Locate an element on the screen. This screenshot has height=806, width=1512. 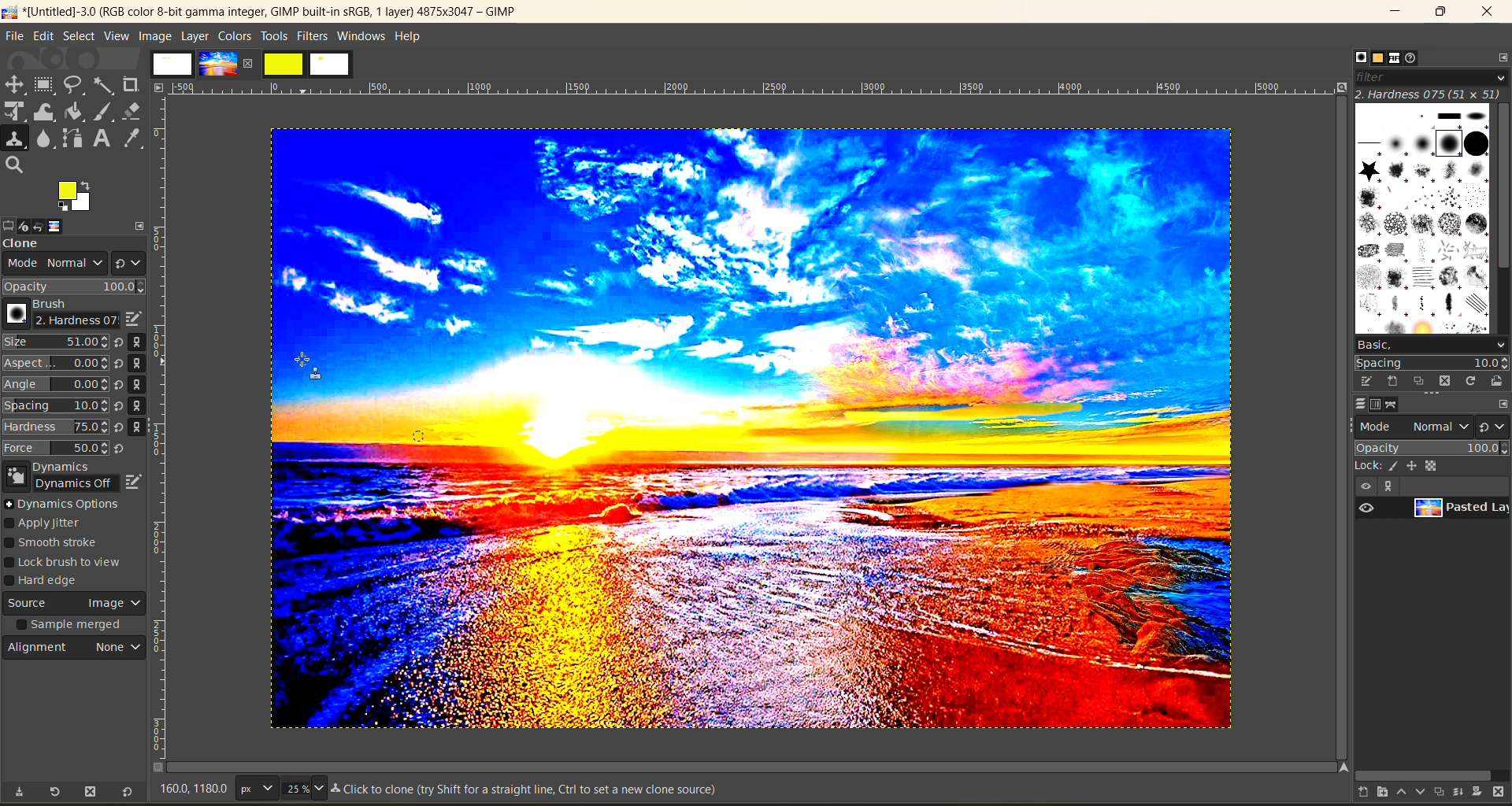
Lock: is located at coordinates (1369, 466).